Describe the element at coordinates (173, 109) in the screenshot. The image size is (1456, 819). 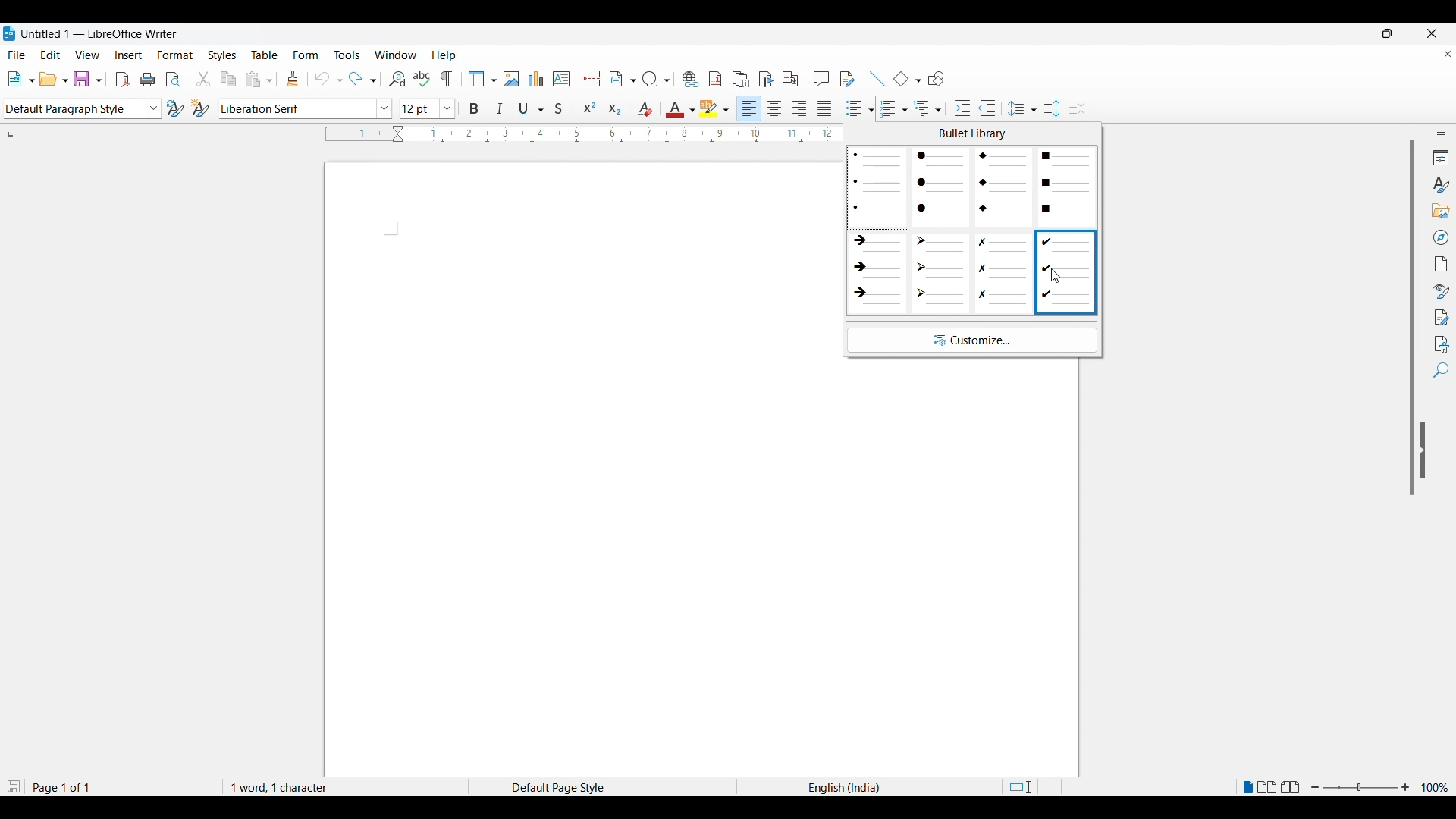
I see `update style` at that location.